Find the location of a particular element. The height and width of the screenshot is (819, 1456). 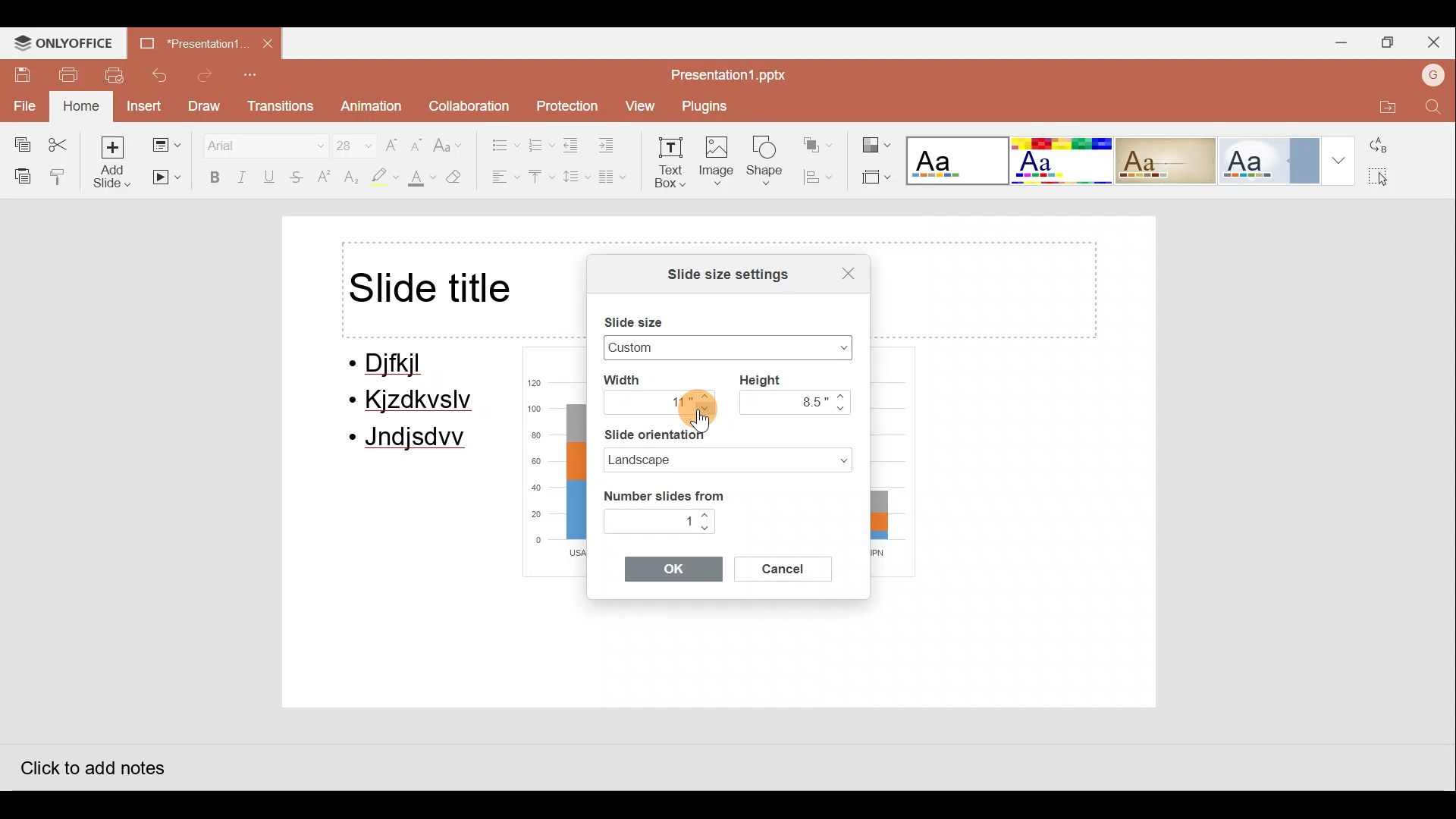

Presentation1. is located at coordinates (192, 41).